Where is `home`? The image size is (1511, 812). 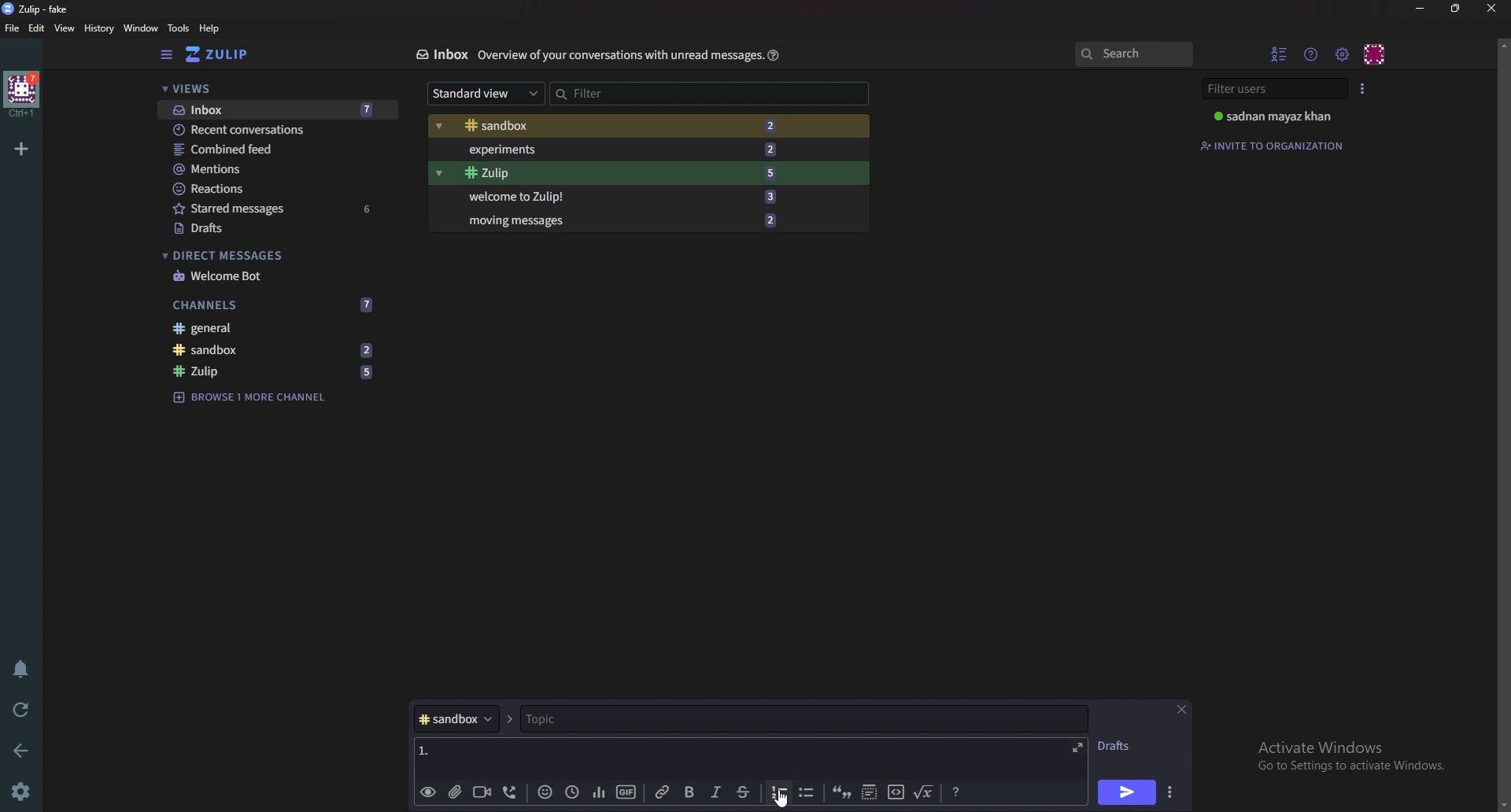
home is located at coordinates (20, 94).